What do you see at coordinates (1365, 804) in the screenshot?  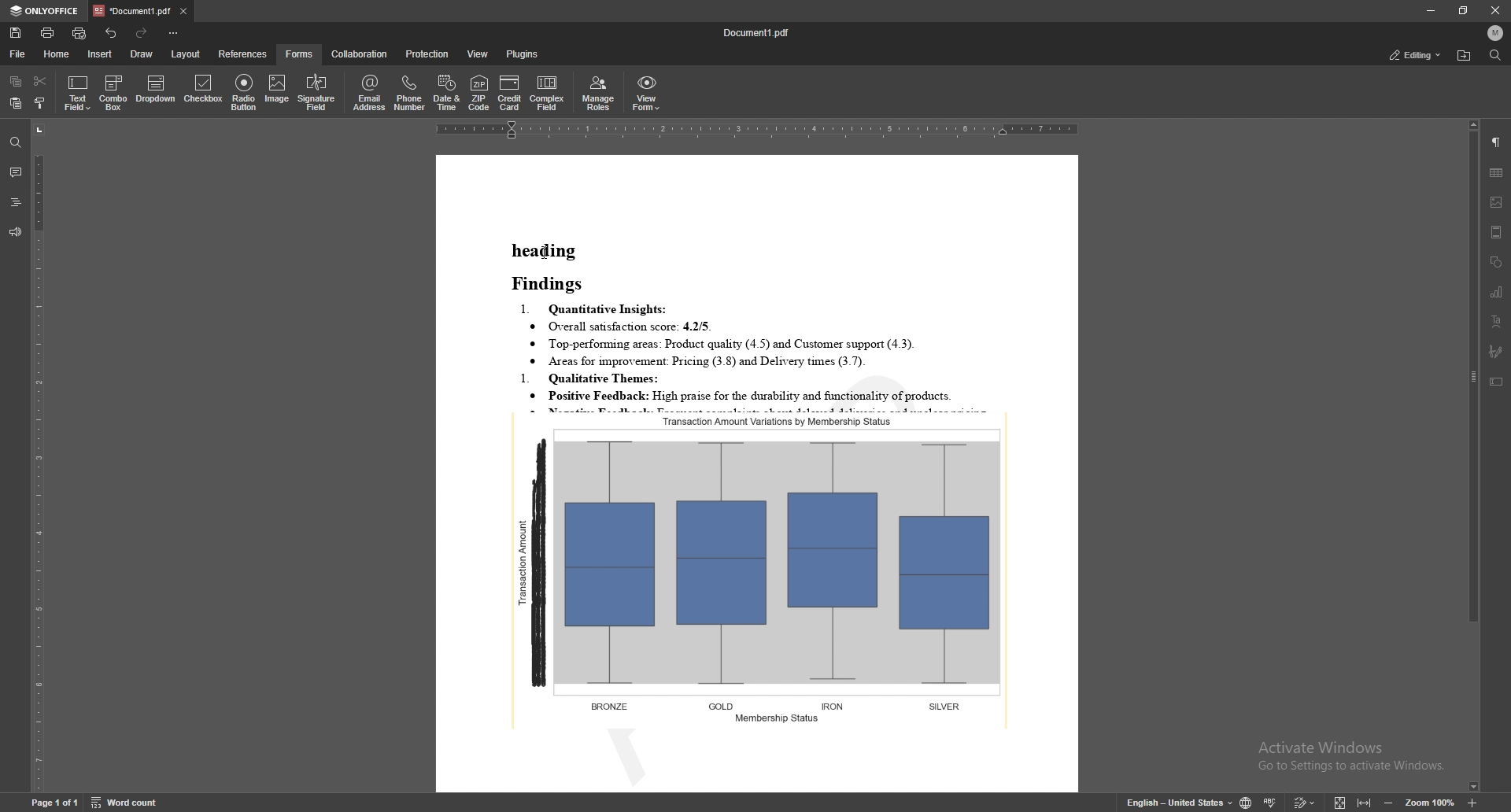 I see `fit to width` at bounding box center [1365, 804].